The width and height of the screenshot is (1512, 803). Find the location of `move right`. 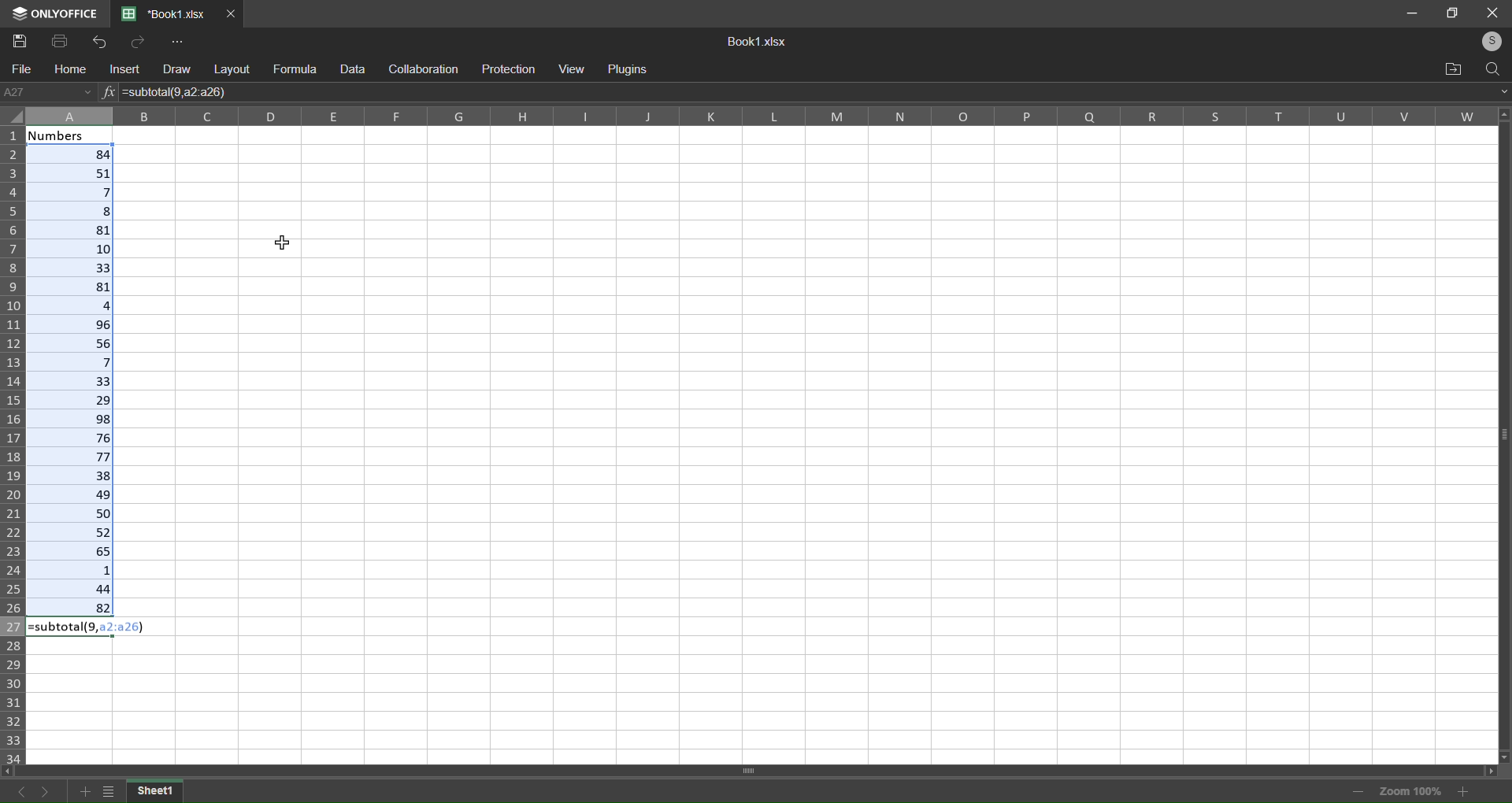

move right is located at coordinates (1498, 774).